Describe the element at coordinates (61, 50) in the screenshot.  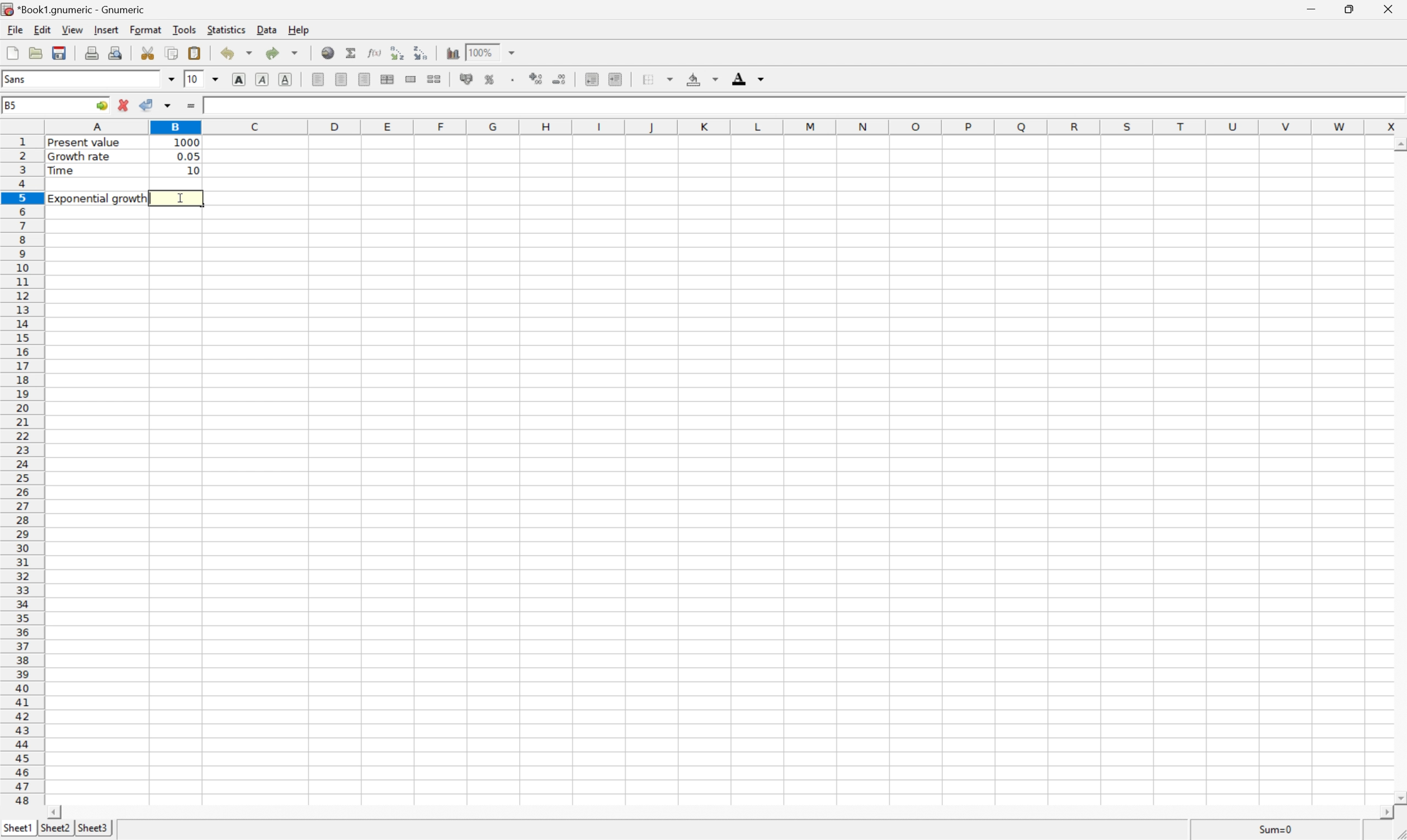
I see `Save current workbook` at that location.